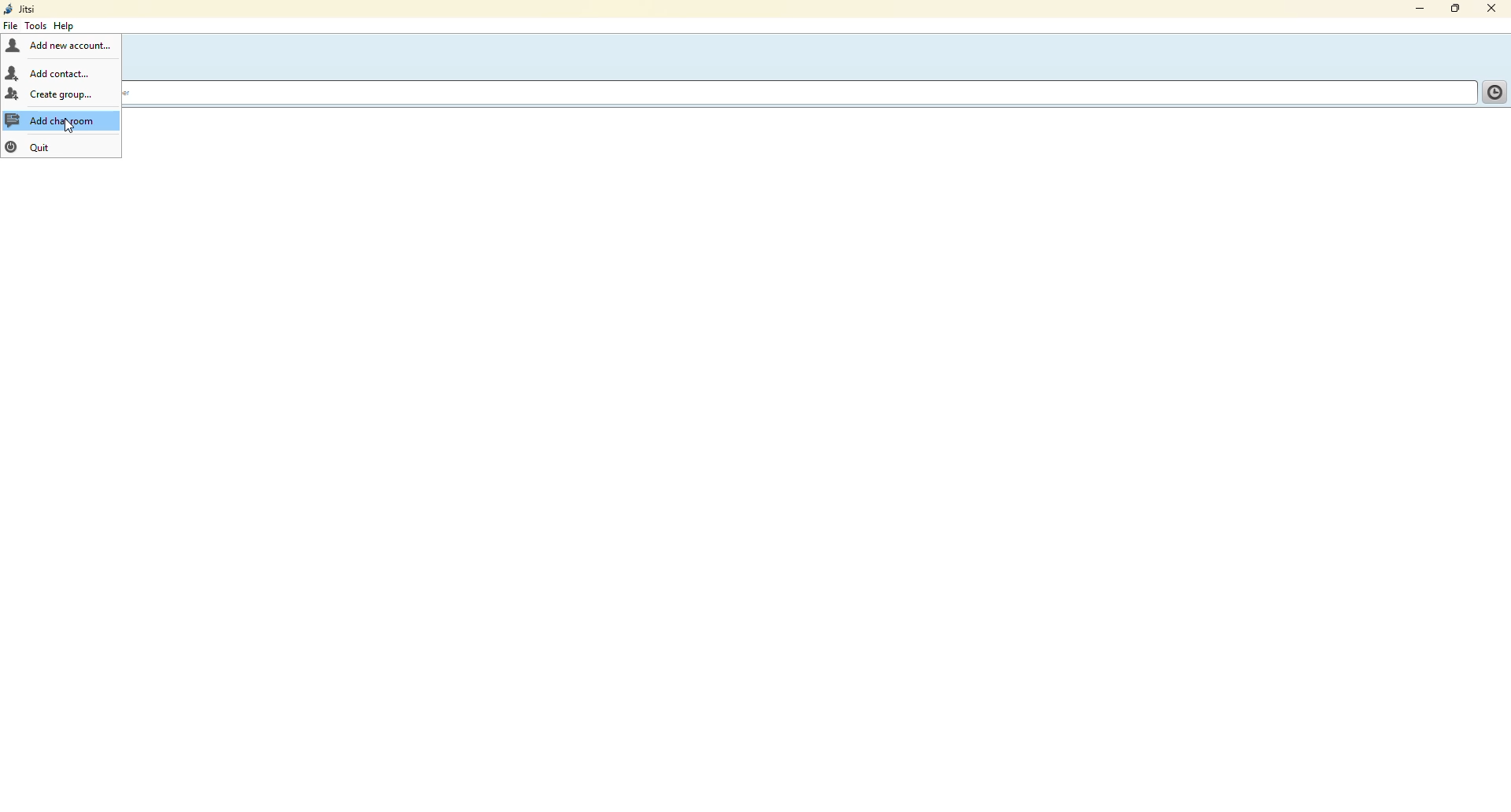  Describe the element at coordinates (50, 72) in the screenshot. I see `add contact` at that location.